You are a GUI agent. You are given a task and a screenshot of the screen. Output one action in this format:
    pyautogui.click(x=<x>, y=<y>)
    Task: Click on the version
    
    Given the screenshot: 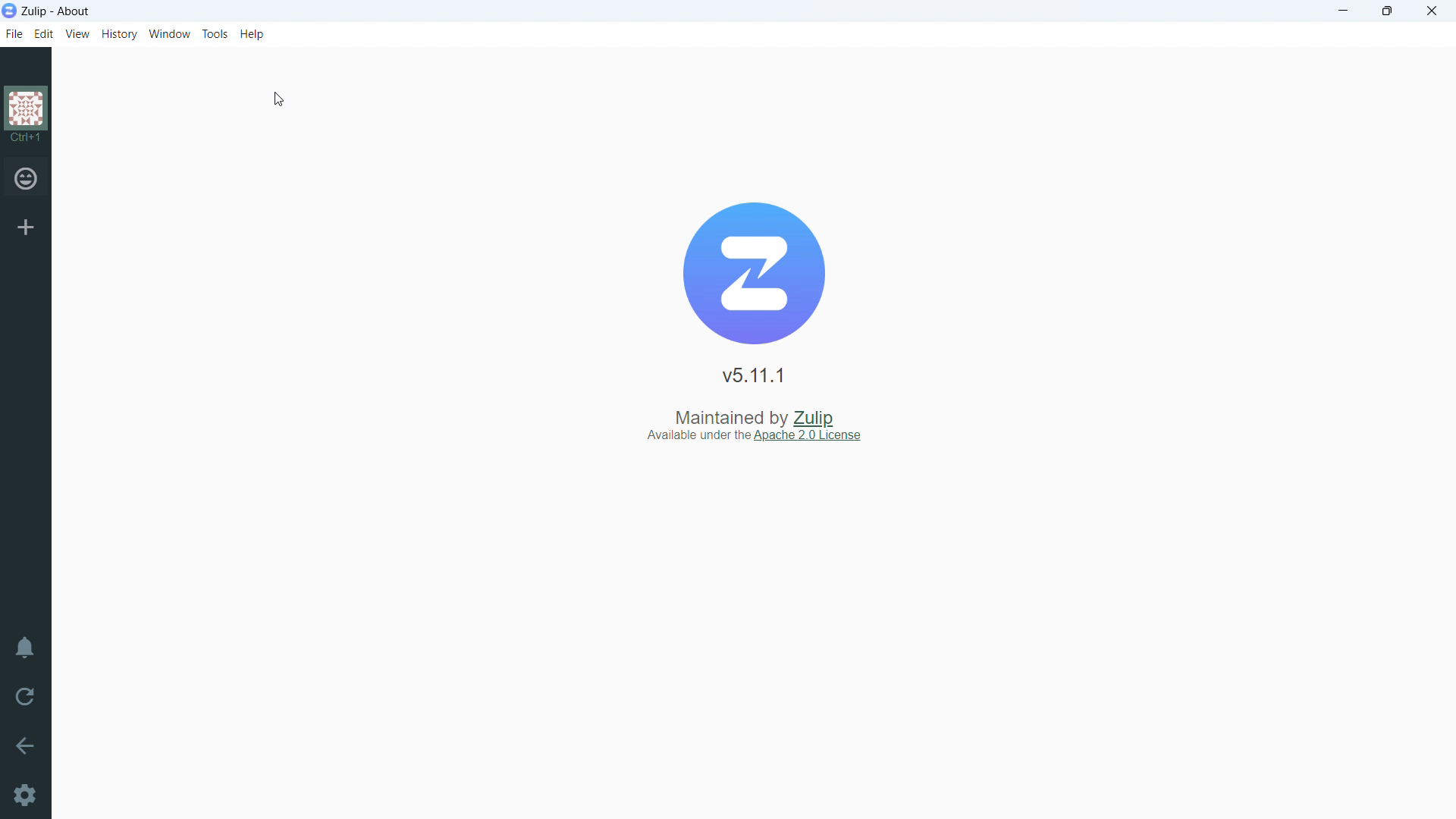 What is the action you would take?
    pyautogui.click(x=755, y=376)
    